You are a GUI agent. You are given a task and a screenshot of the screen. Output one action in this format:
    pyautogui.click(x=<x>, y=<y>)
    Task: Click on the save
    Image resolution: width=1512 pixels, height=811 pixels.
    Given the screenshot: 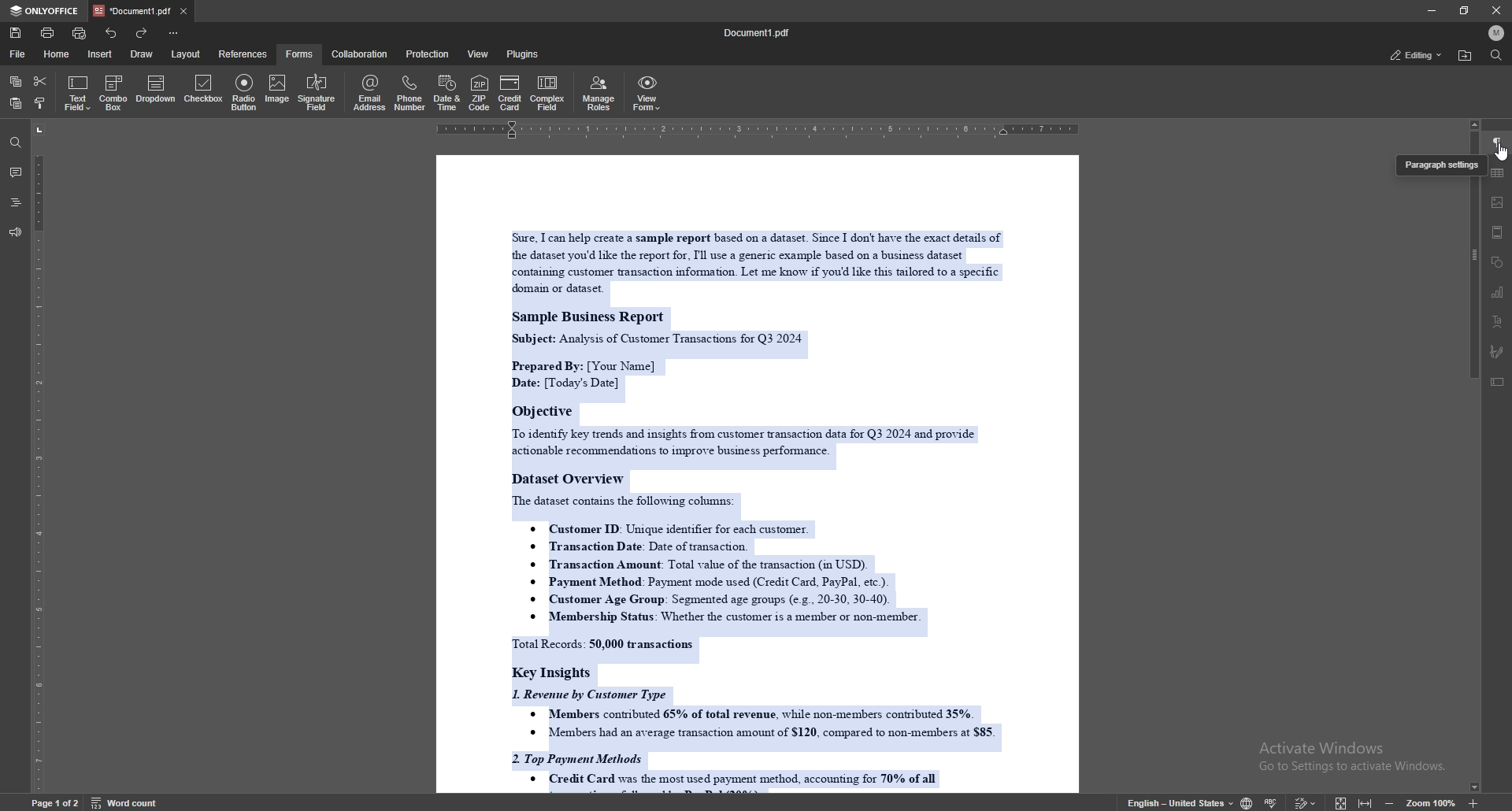 What is the action you would take?
    pyautogui.click(x=16, y=33)
    